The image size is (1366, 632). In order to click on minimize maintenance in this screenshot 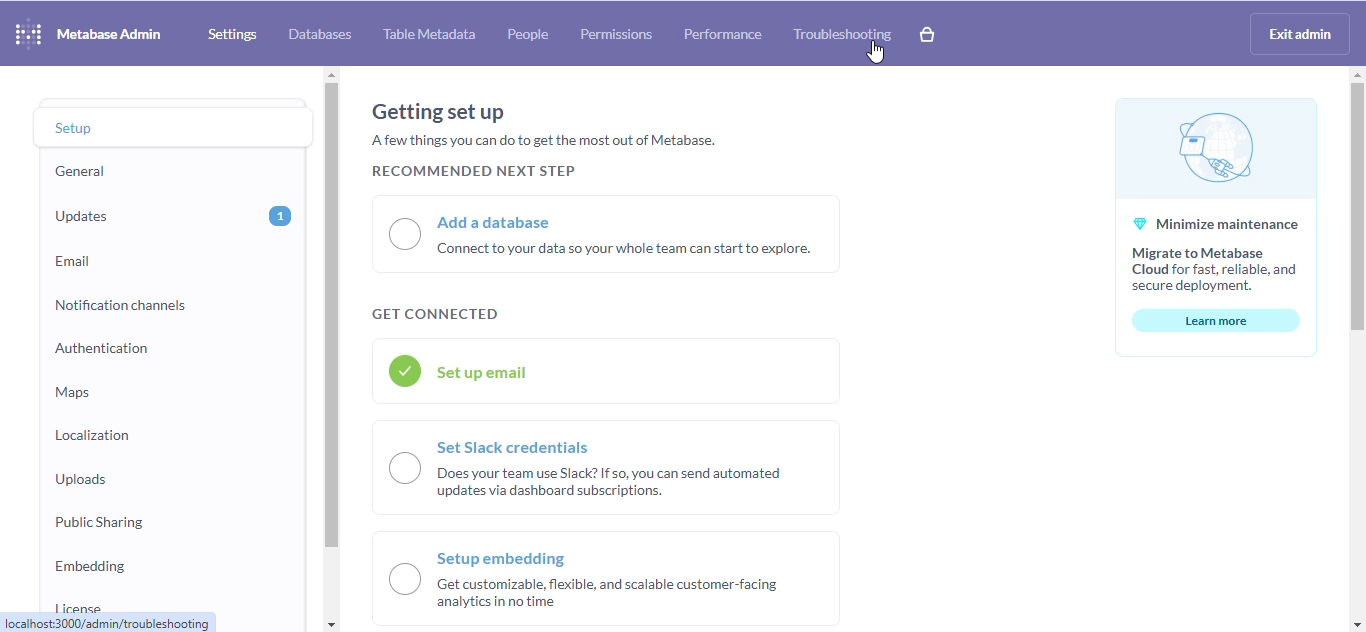, I will do `click(1216, 197)`.